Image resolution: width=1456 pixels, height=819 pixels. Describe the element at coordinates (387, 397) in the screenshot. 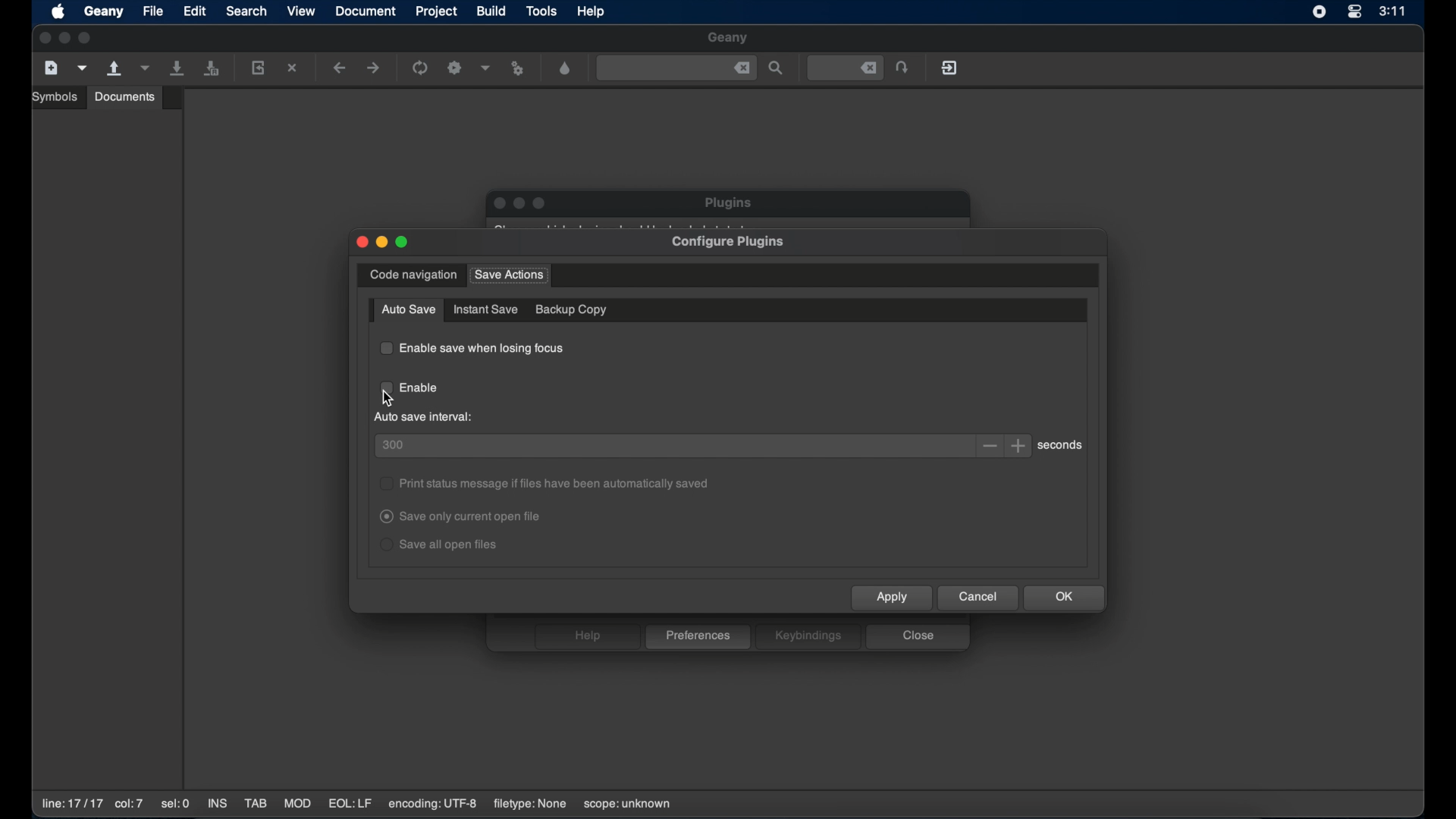

I see `cursor` at that location.